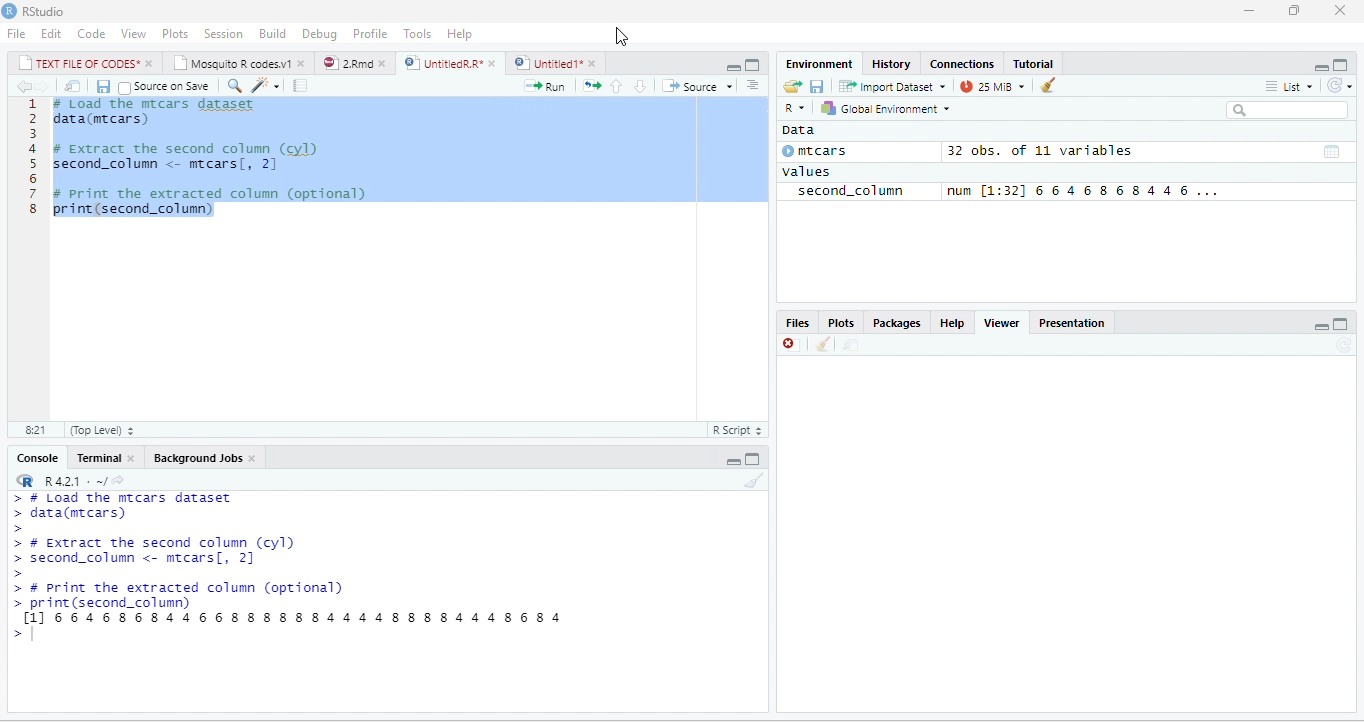 This screenshot has width=1364, height=722. What do you see at coordinates (848, 346) in the screenshot?
I see `move` at bounding box center [848, 346].